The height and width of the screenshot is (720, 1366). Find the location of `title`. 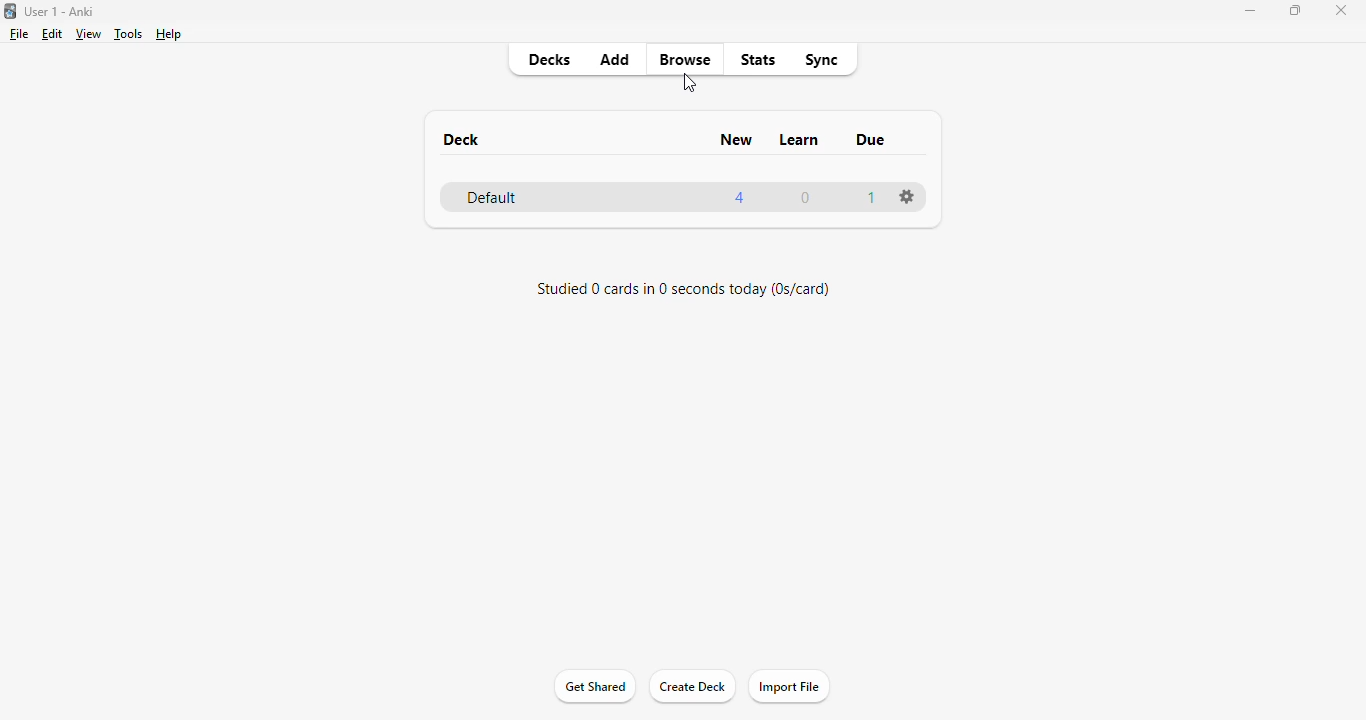

title is located at coordinates (58, 12).